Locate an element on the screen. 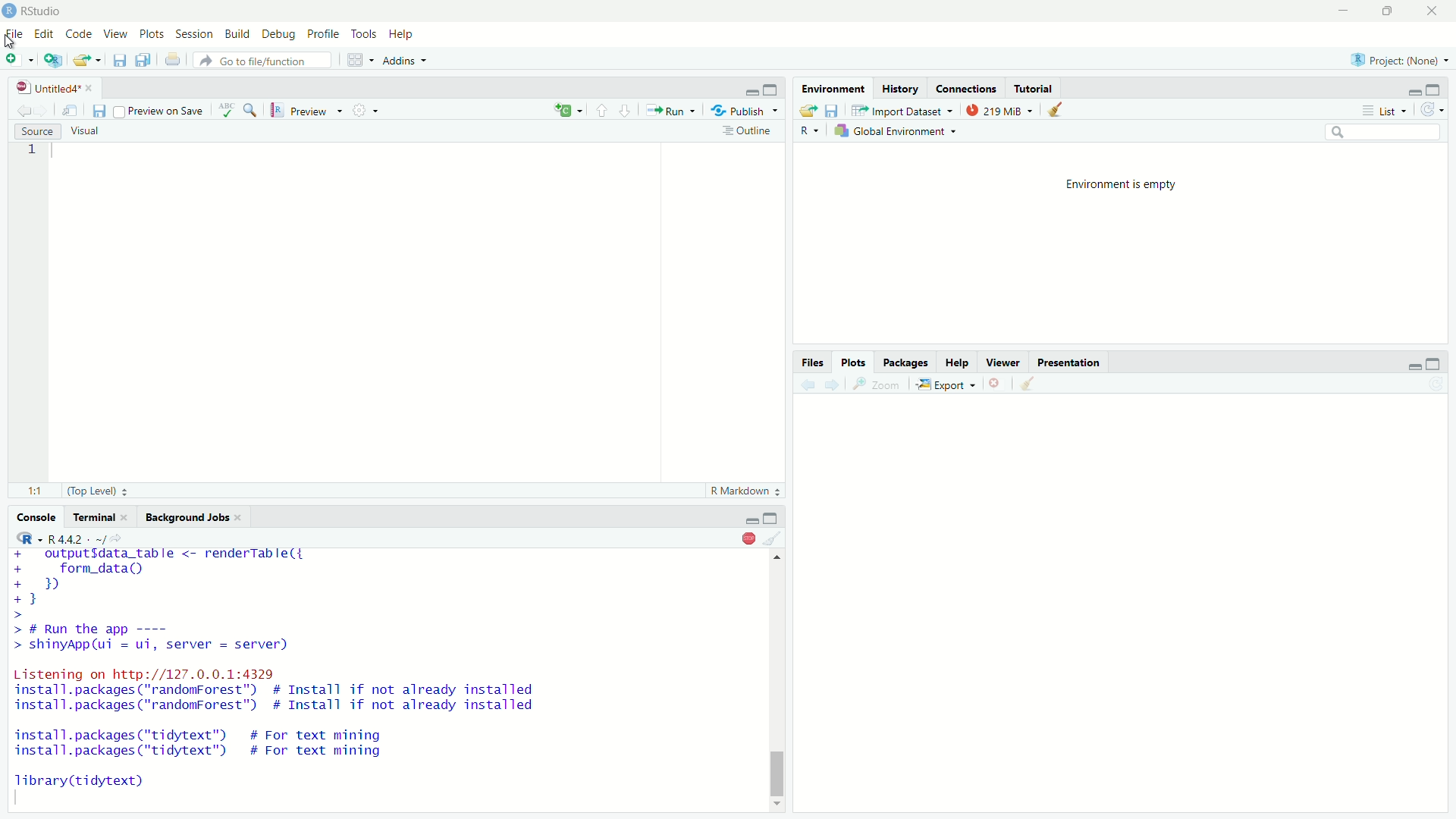 This screenshot has height=819, width=1456. go to previous section is located at coordinates (601, 111).